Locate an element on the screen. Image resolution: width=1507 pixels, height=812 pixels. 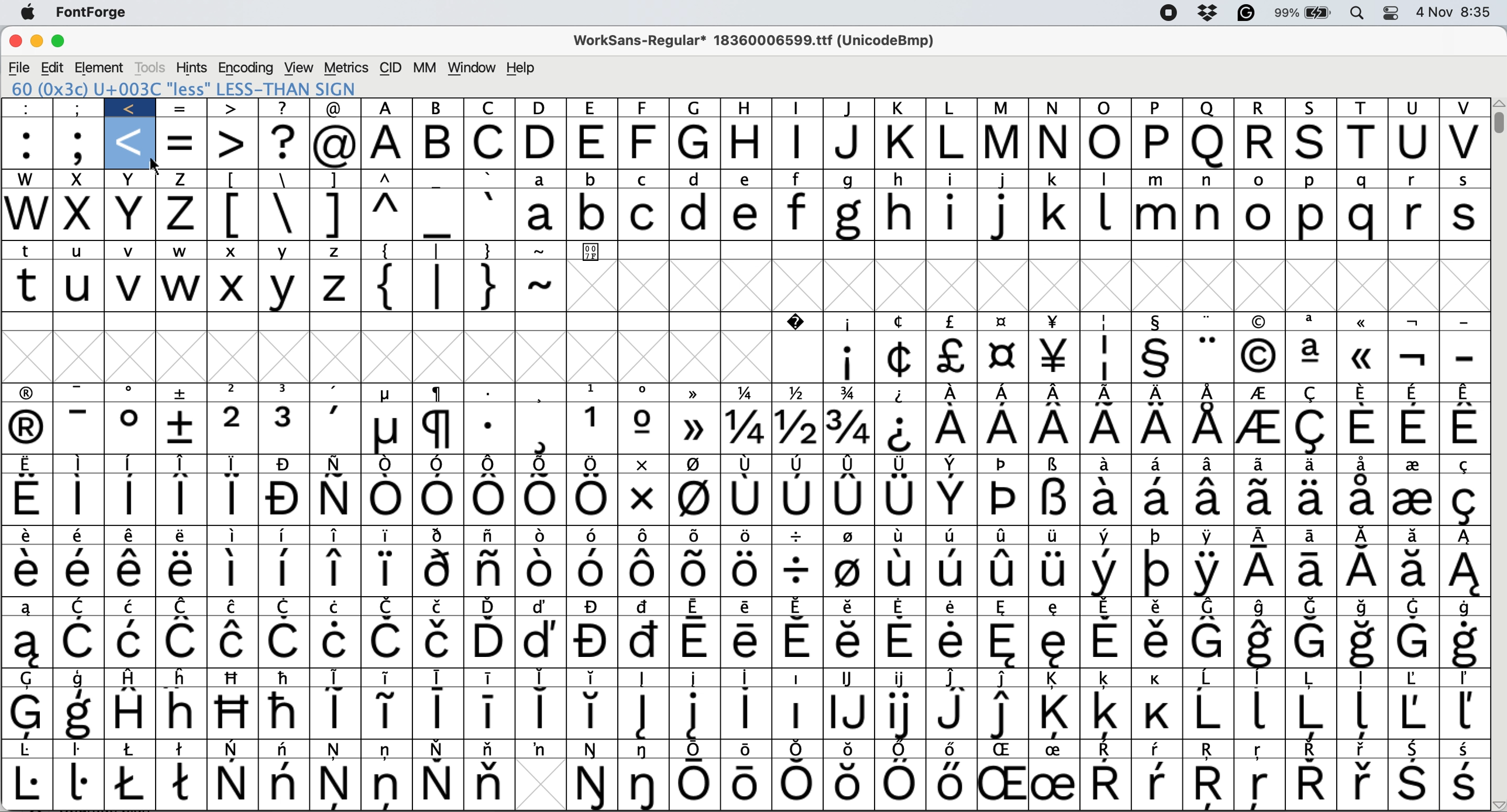
Symbol is located at coordinates (1107, 391).